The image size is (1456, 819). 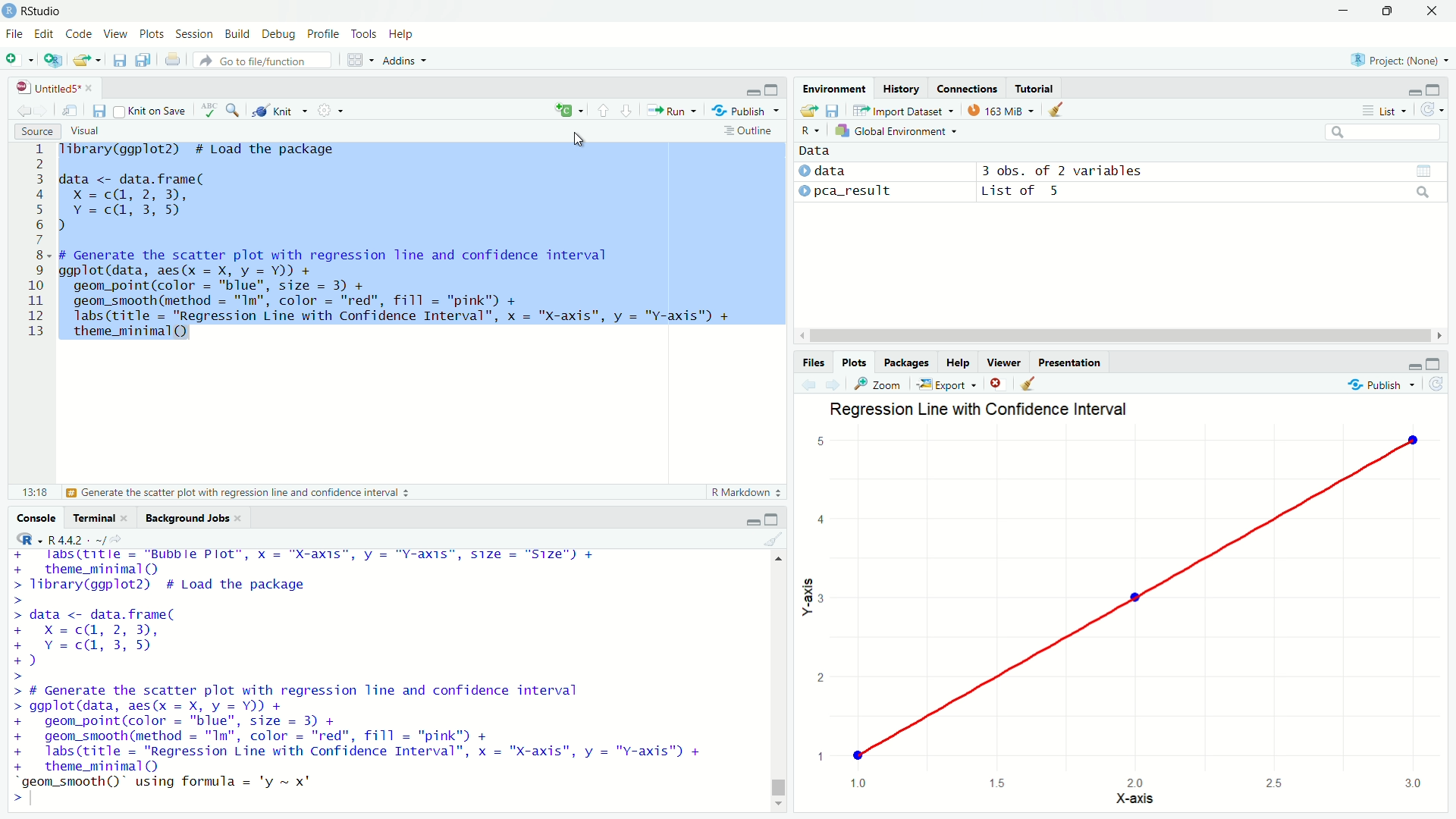 What do you see at coordinates (1383, 110) in the screenshot?
I see `List` at bounding box center [1383, 110].